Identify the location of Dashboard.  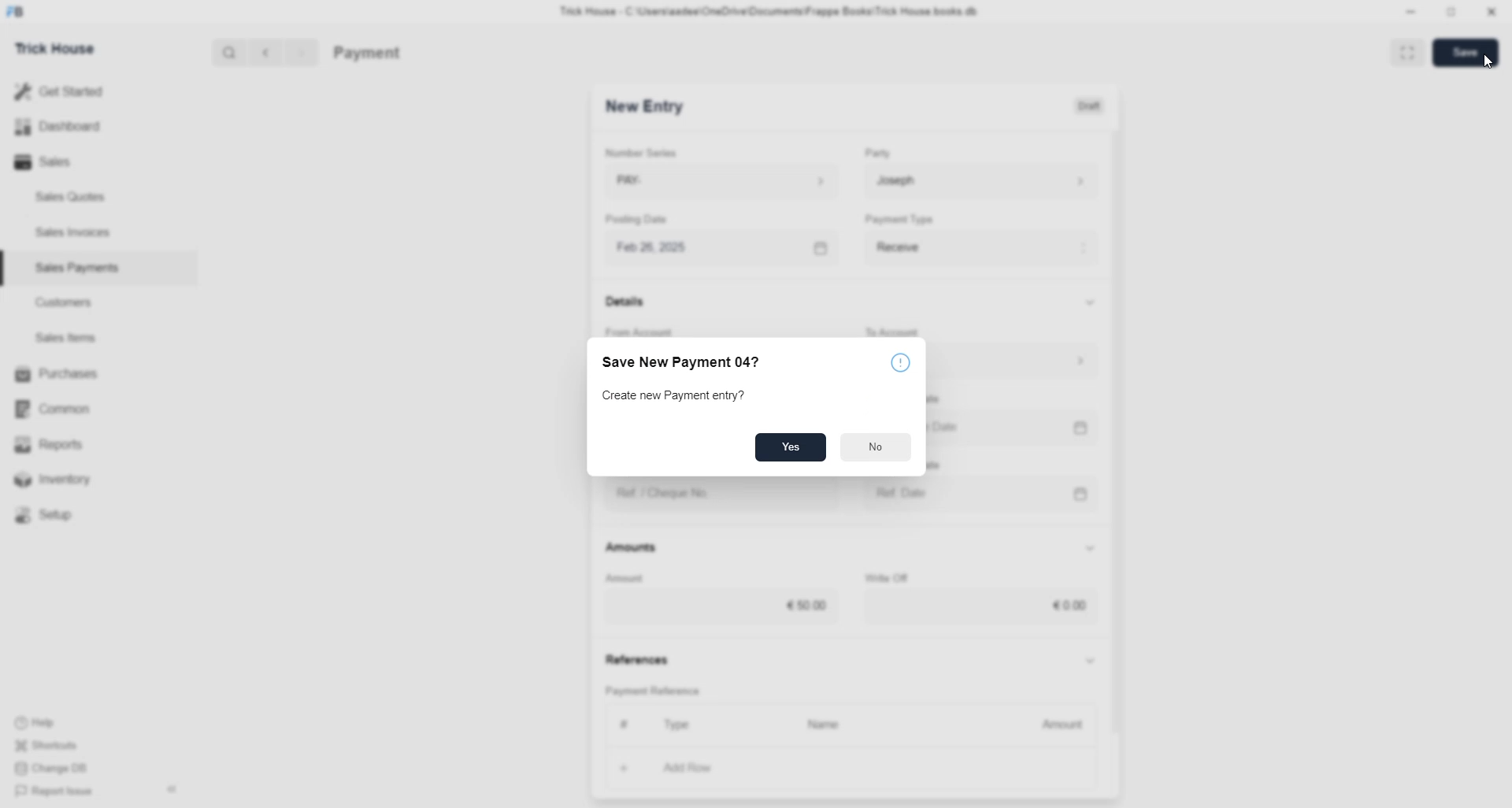
(57, 129).